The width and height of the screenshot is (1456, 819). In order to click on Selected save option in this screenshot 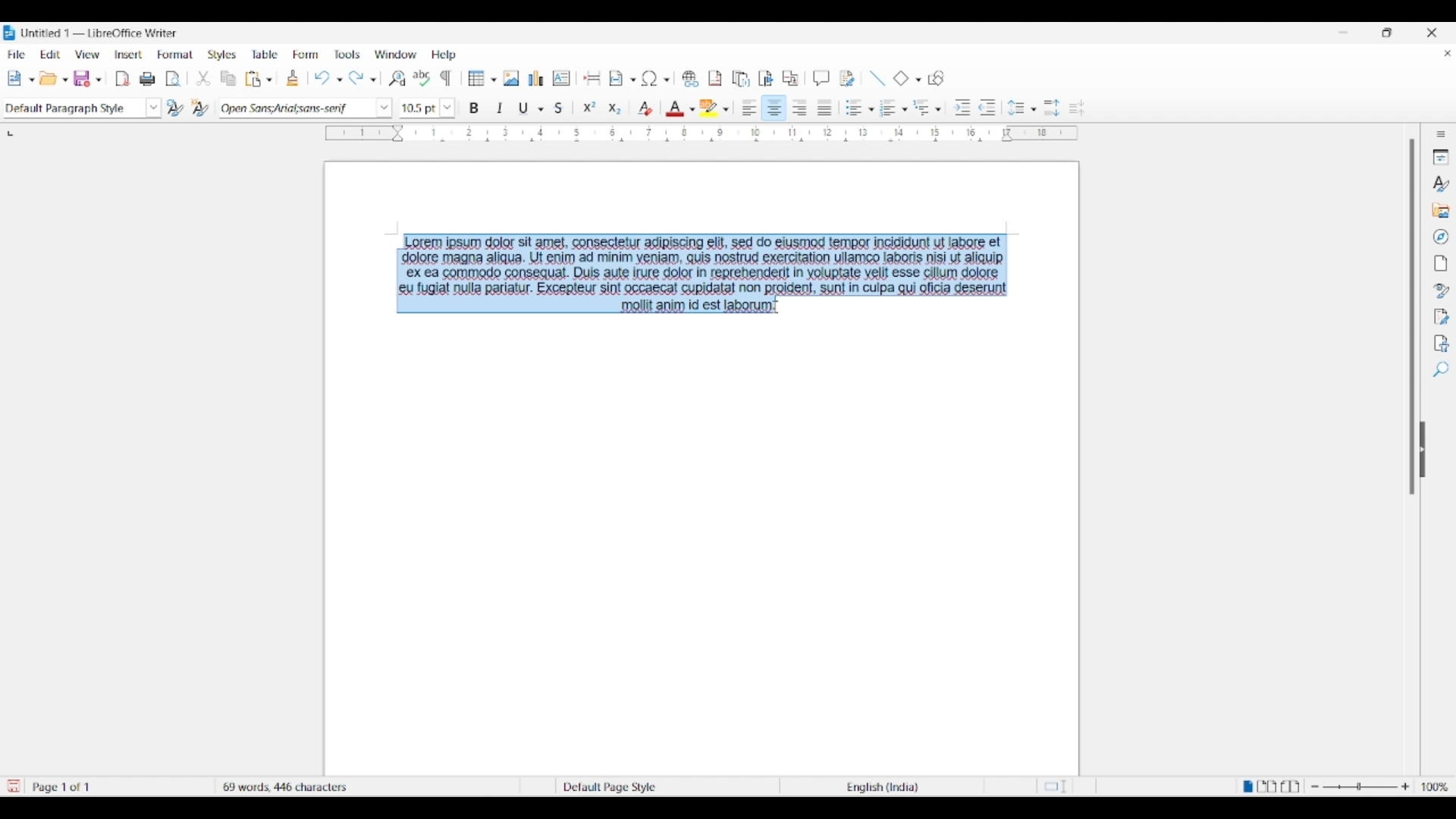, I will do `click(86, 78)`.